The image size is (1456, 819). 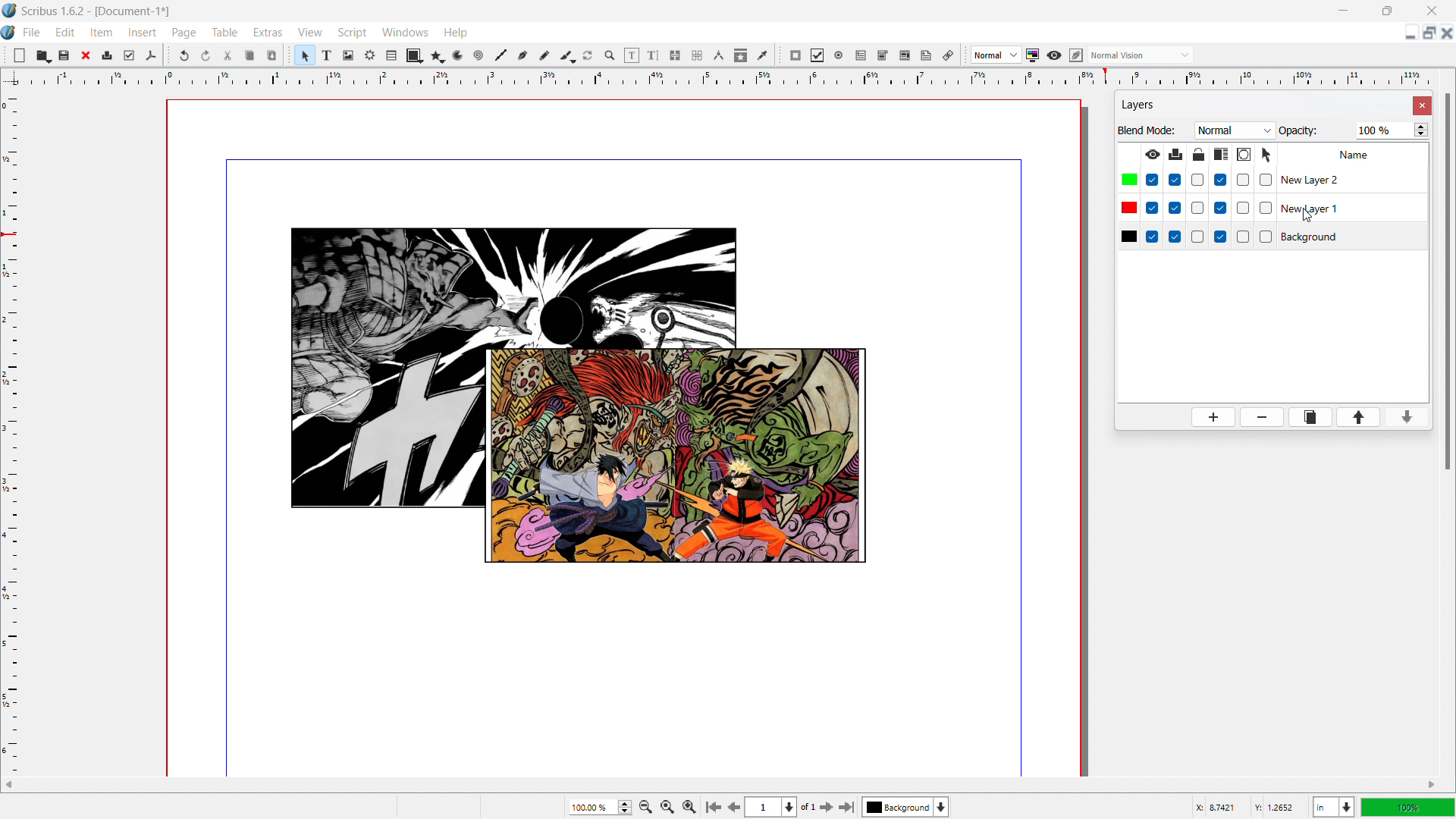 I want to click on table, so click(x=224, y=32).